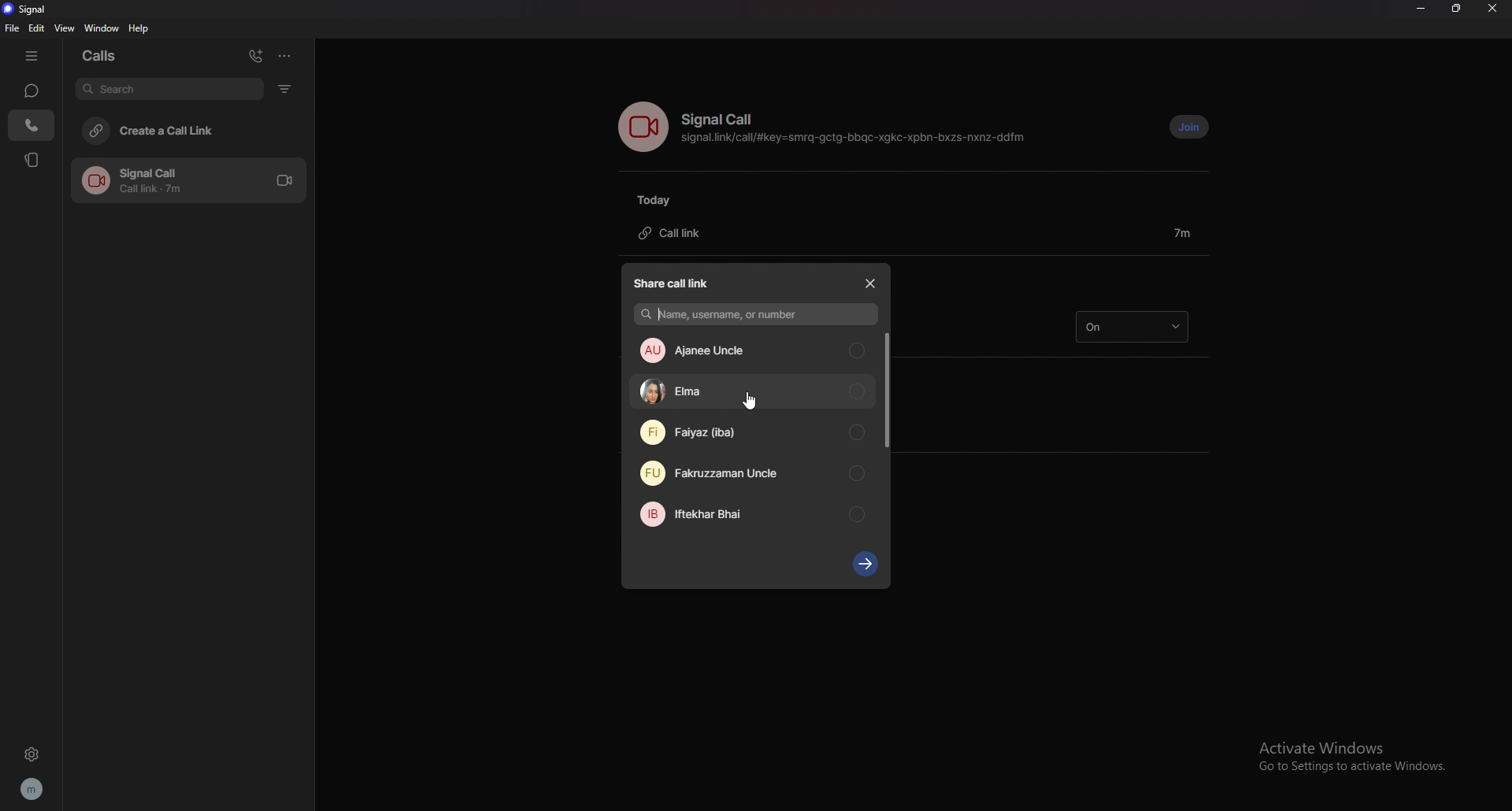 The height and width of the screenshot is (811, 1512). Describe the element at coordinates (887, 390) in the screenshot. I see `scroll bar` at that location.